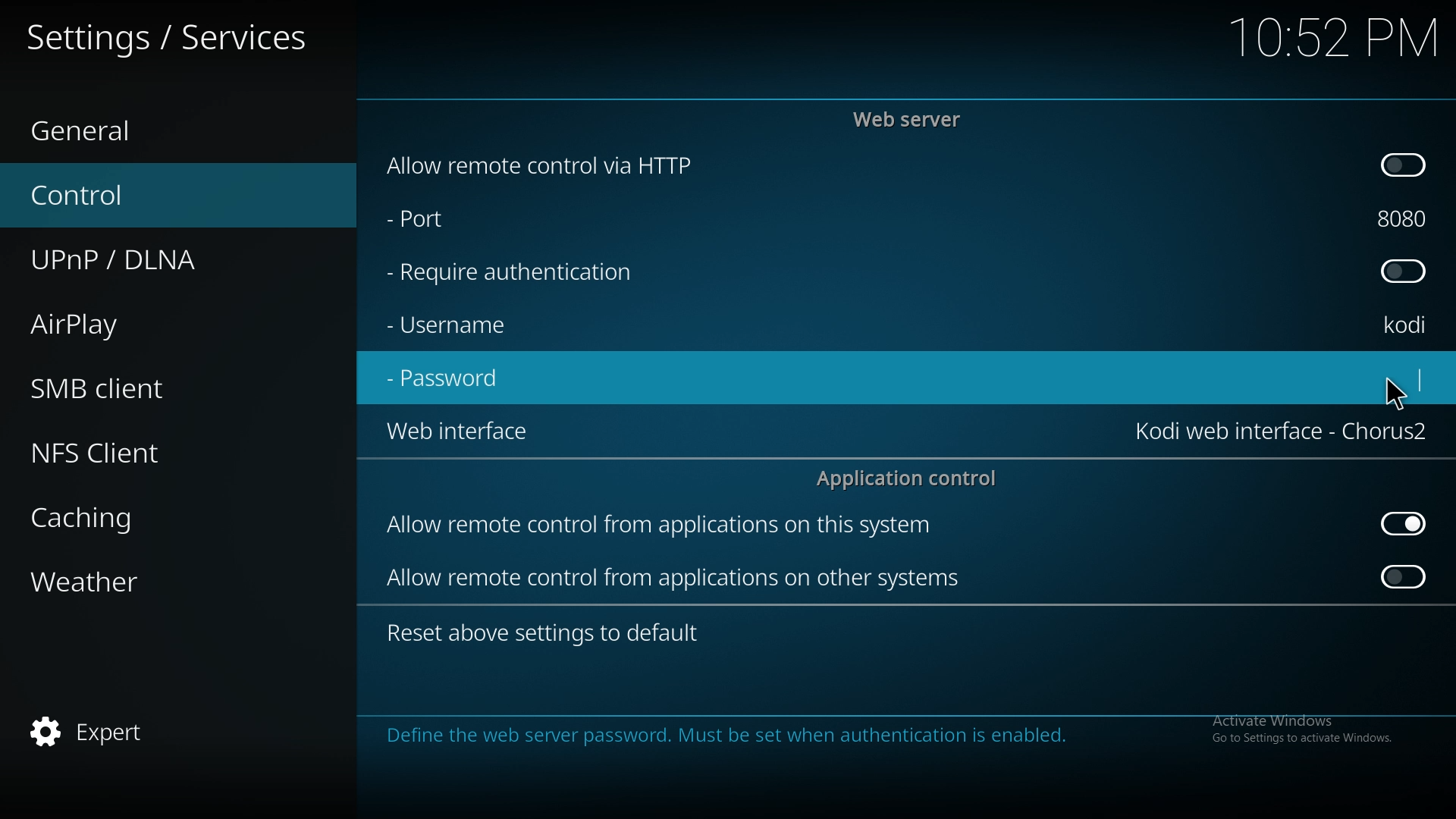 This screenshot has height=819, width=1456. I want to click on toggle, so click(1401, 165).